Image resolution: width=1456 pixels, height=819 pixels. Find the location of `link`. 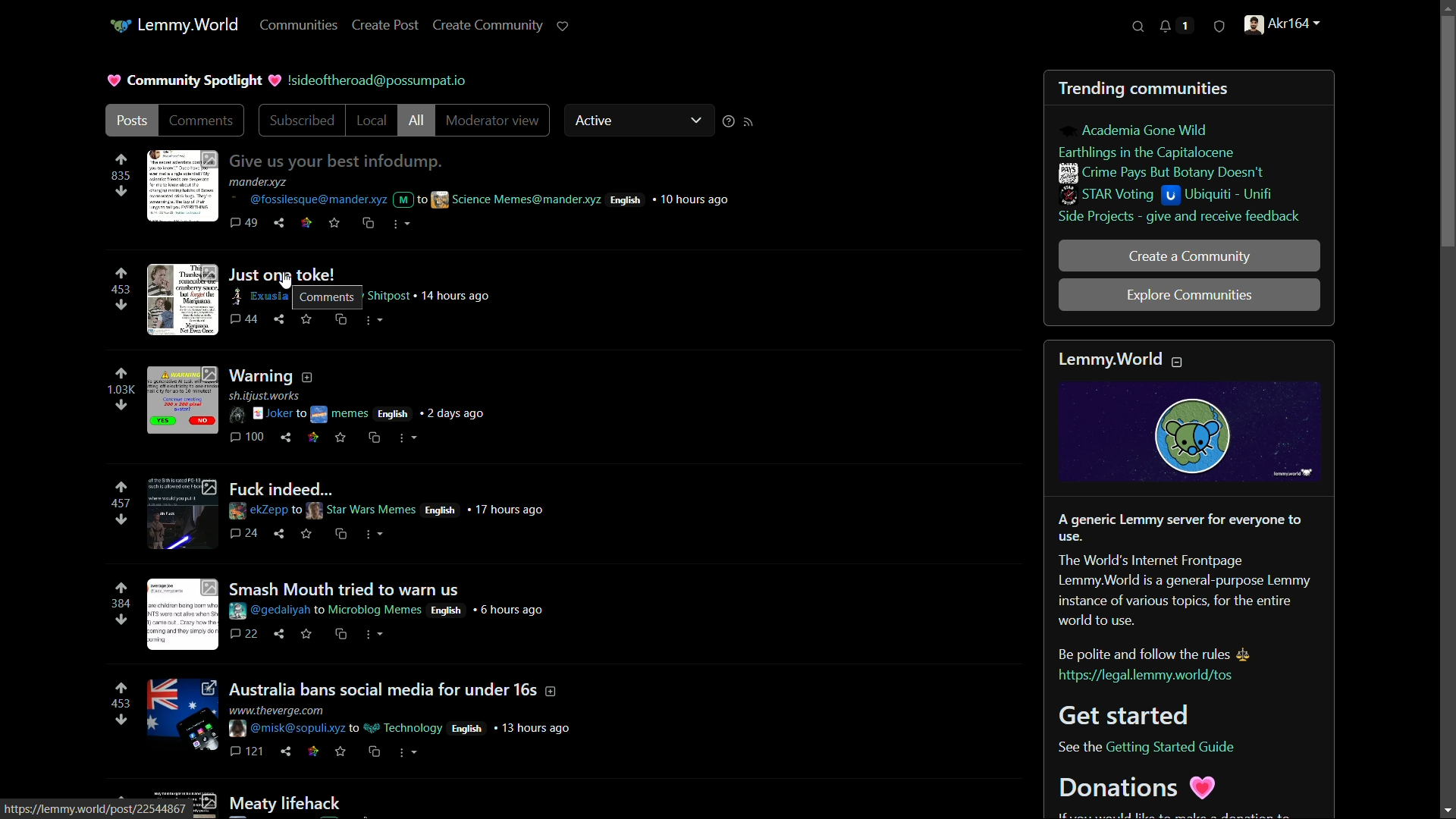

link is located at coordinates (313, 438).